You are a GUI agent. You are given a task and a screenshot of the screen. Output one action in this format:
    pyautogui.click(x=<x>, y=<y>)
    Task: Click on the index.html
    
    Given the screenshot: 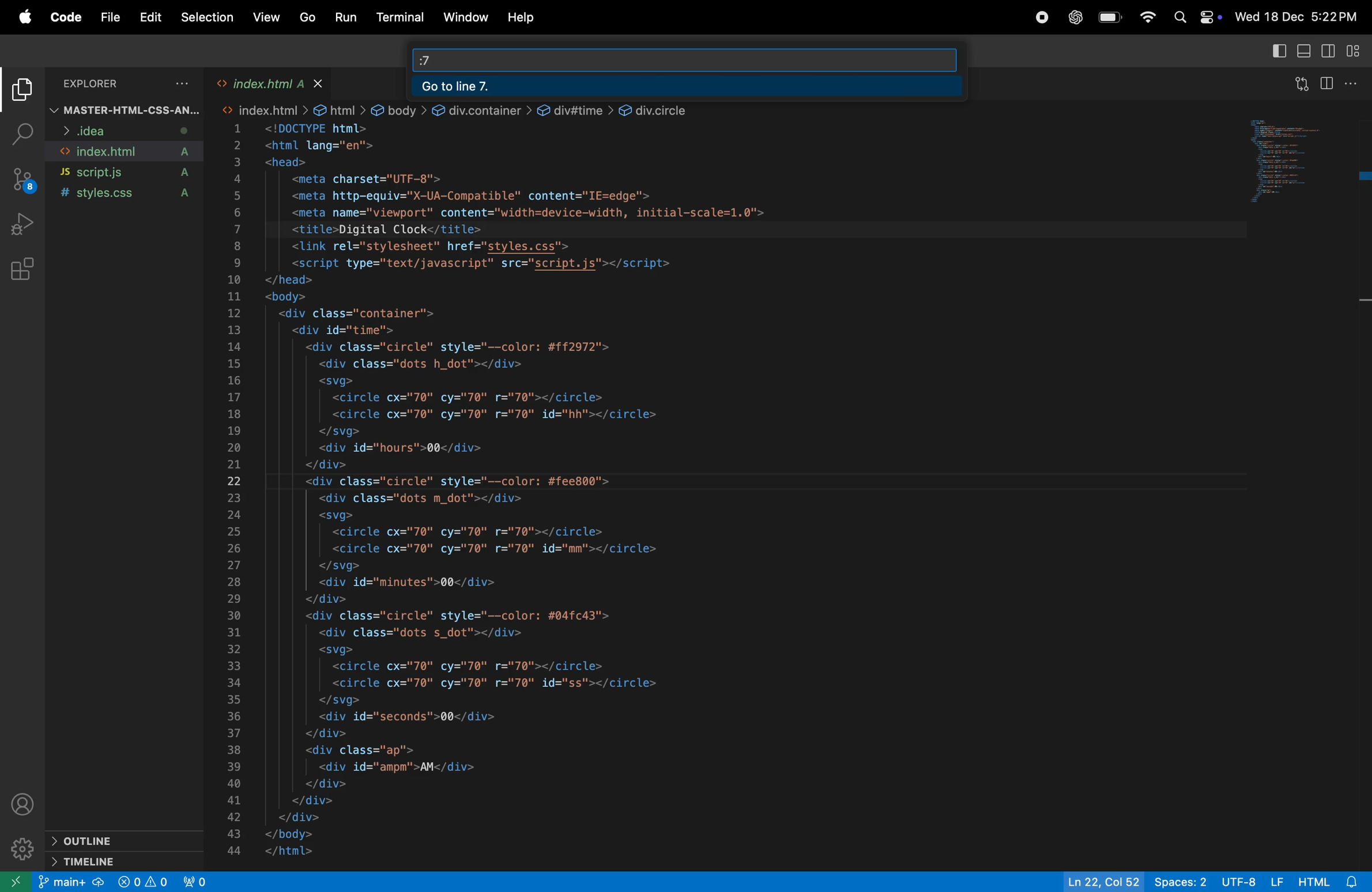 What is the action you would take?
    pyautogui.click(x=126, y=152)
    